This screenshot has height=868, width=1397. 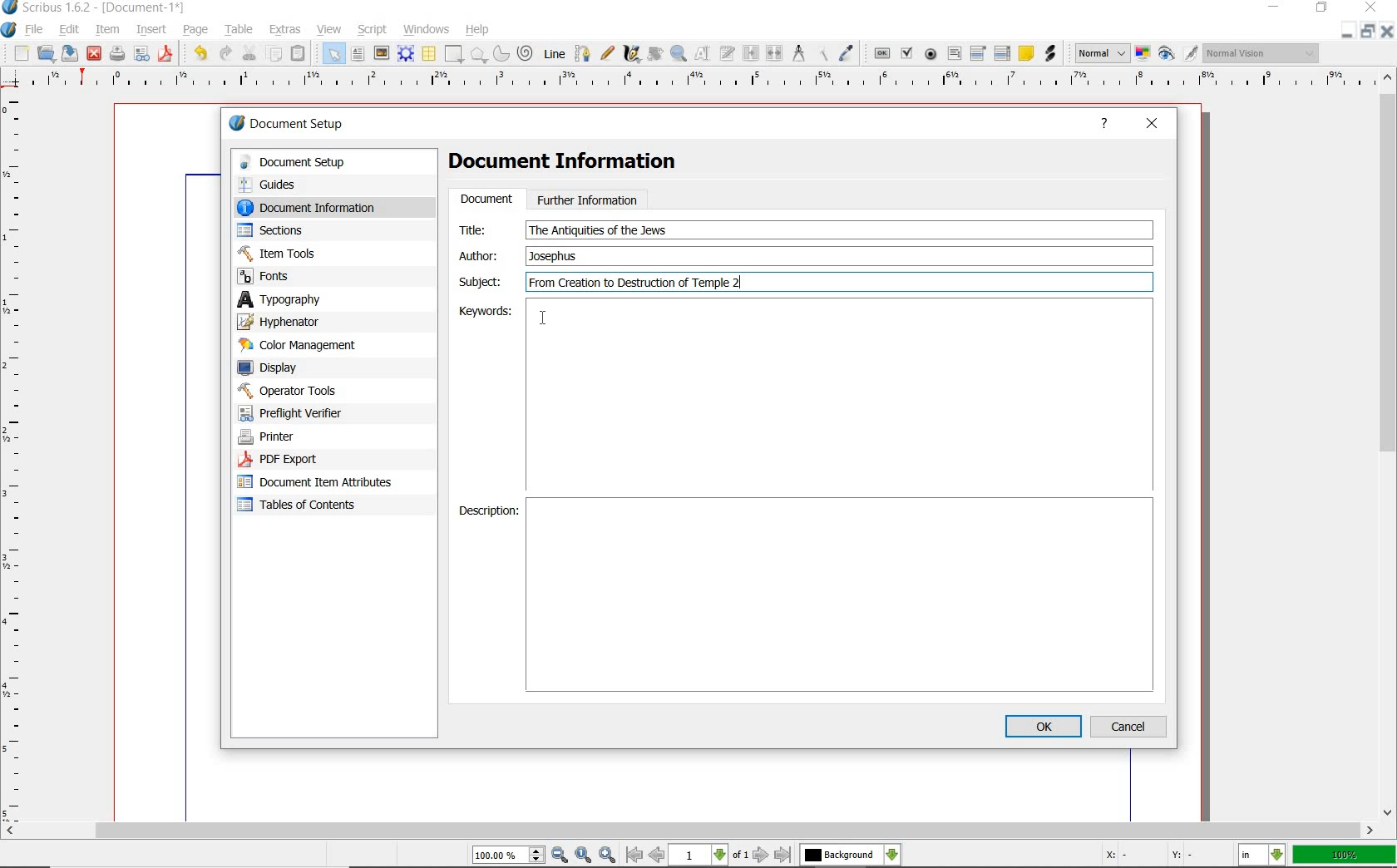 What do you see at coordinates (303, 299) in the screenshot?
I see `typography` at bounding box center [303, 299].